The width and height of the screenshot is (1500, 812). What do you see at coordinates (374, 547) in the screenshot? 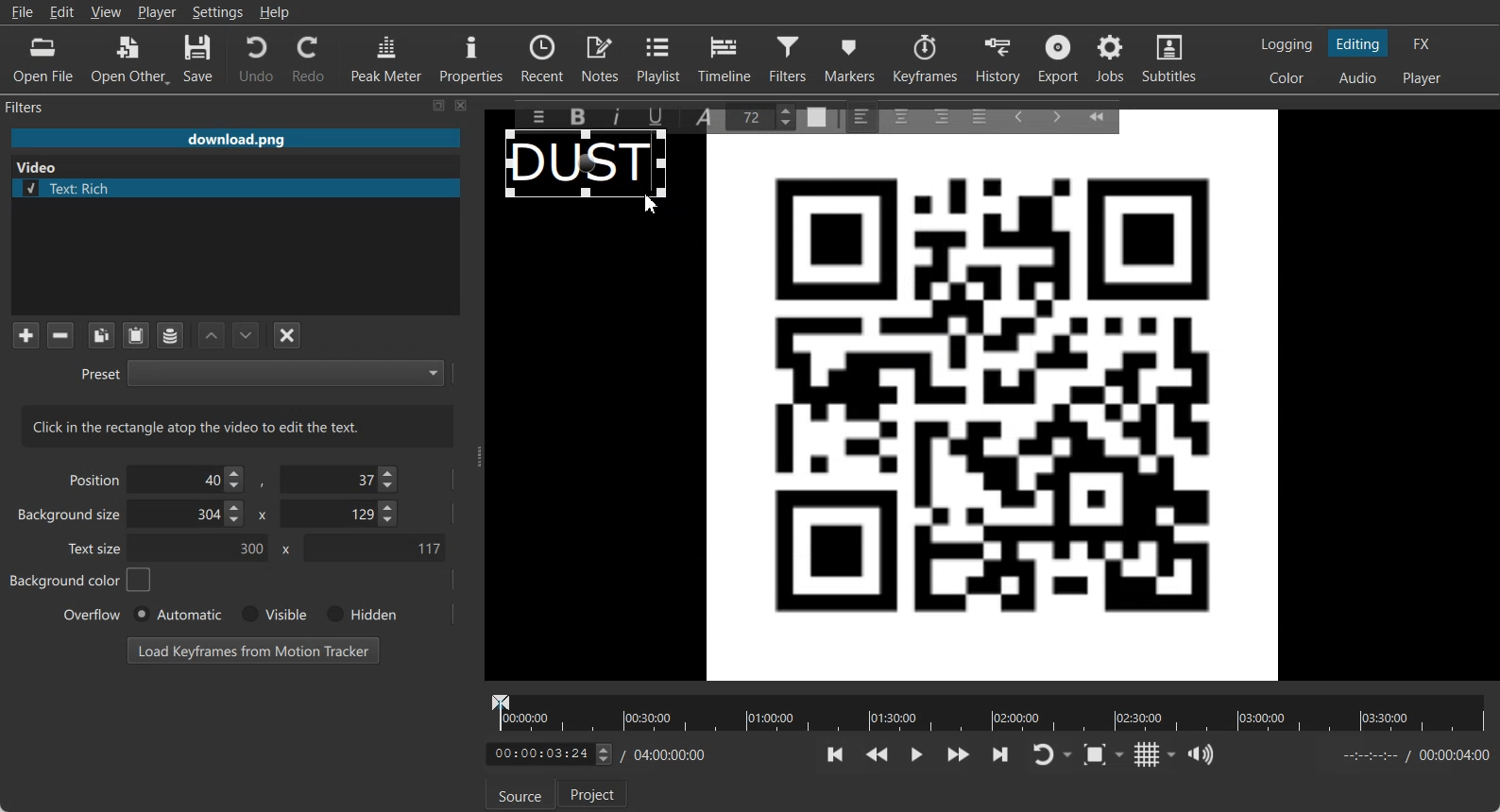
I see `Text Size Y- Coordinate` at bounding box center [374, 547].